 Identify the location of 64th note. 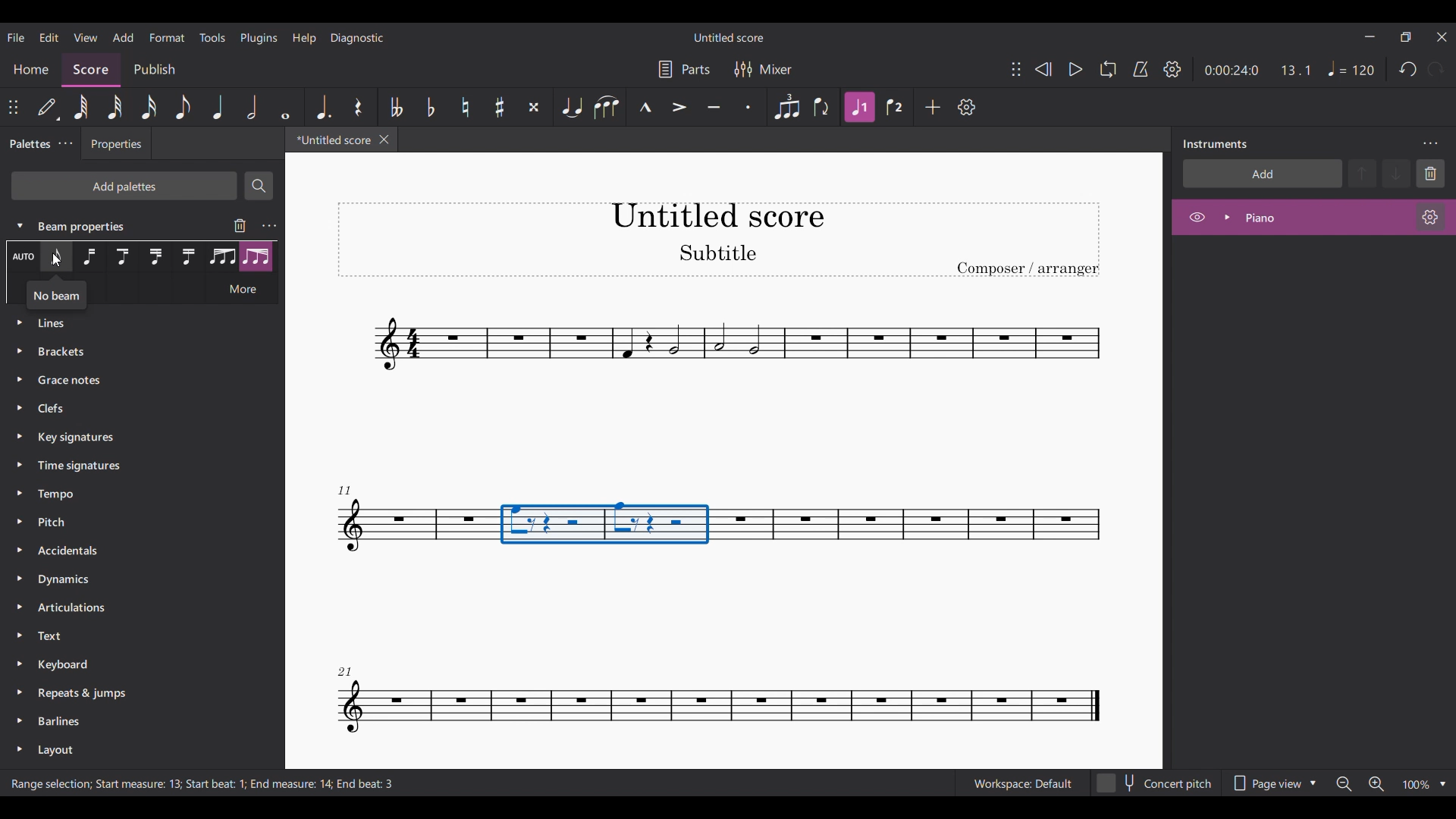
(81, 107).